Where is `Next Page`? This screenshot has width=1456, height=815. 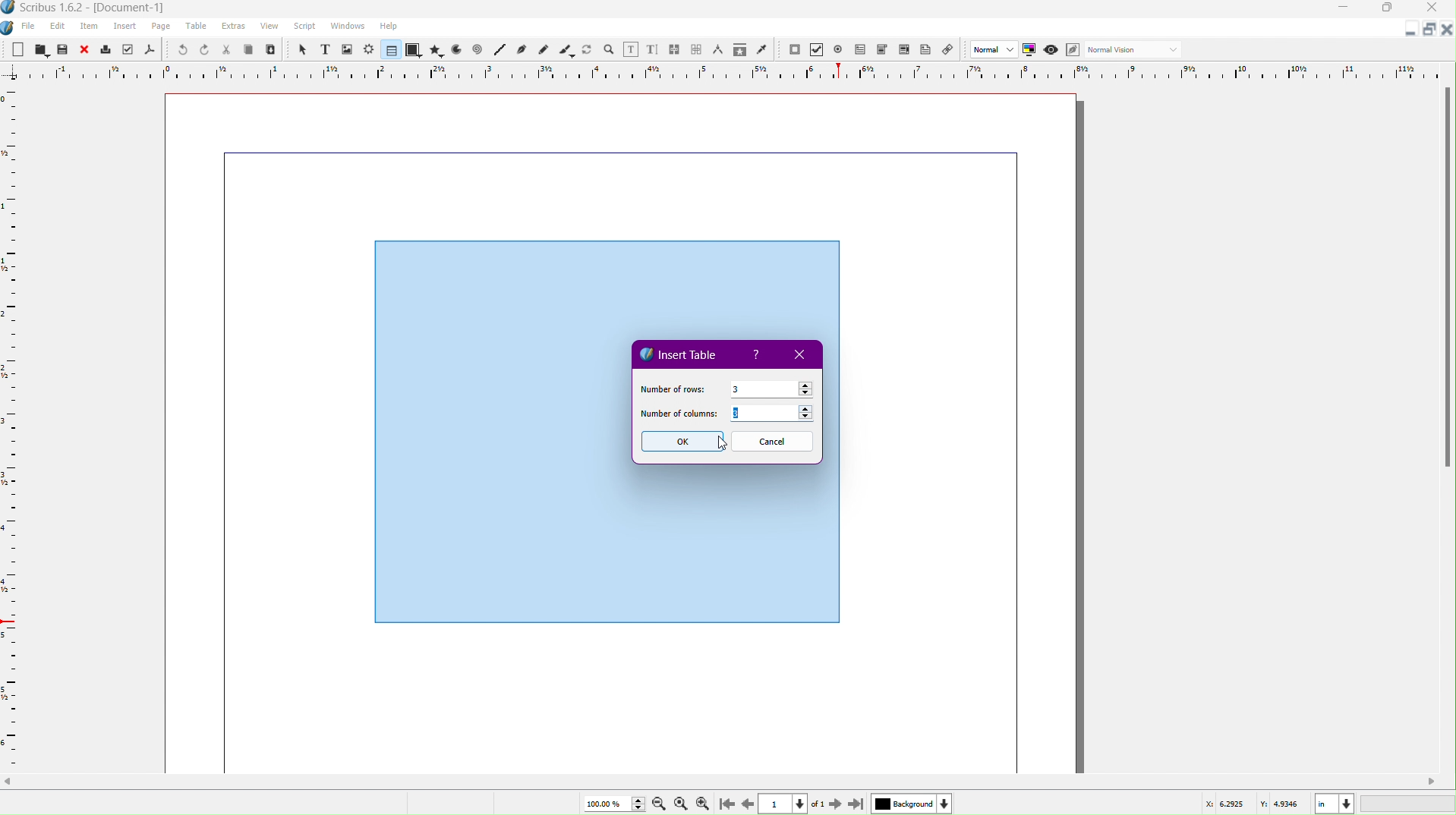
Next Page is located at coordinates (833, 803).